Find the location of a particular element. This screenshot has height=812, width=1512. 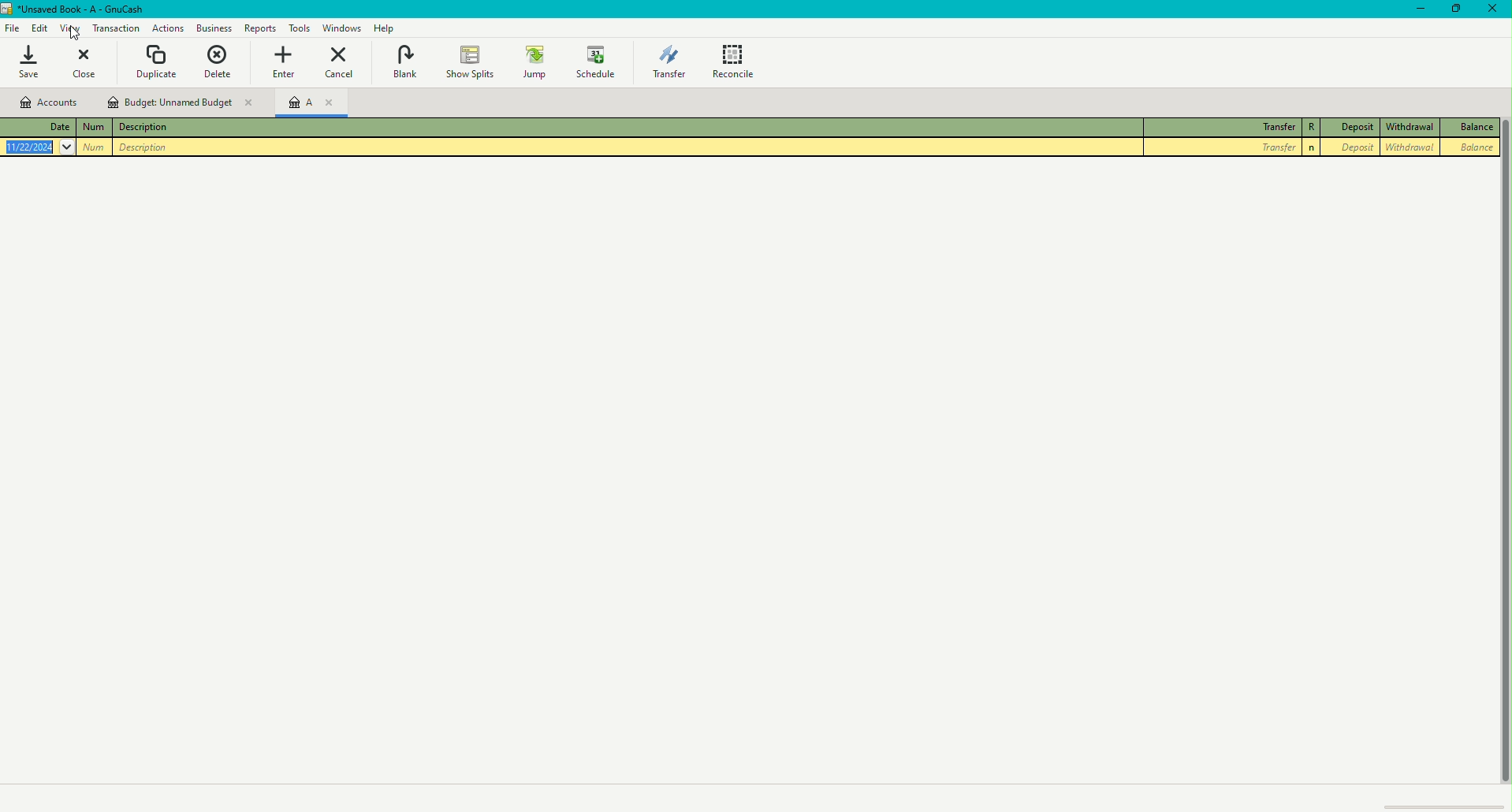

Blank is located at coordinates (404, 61).